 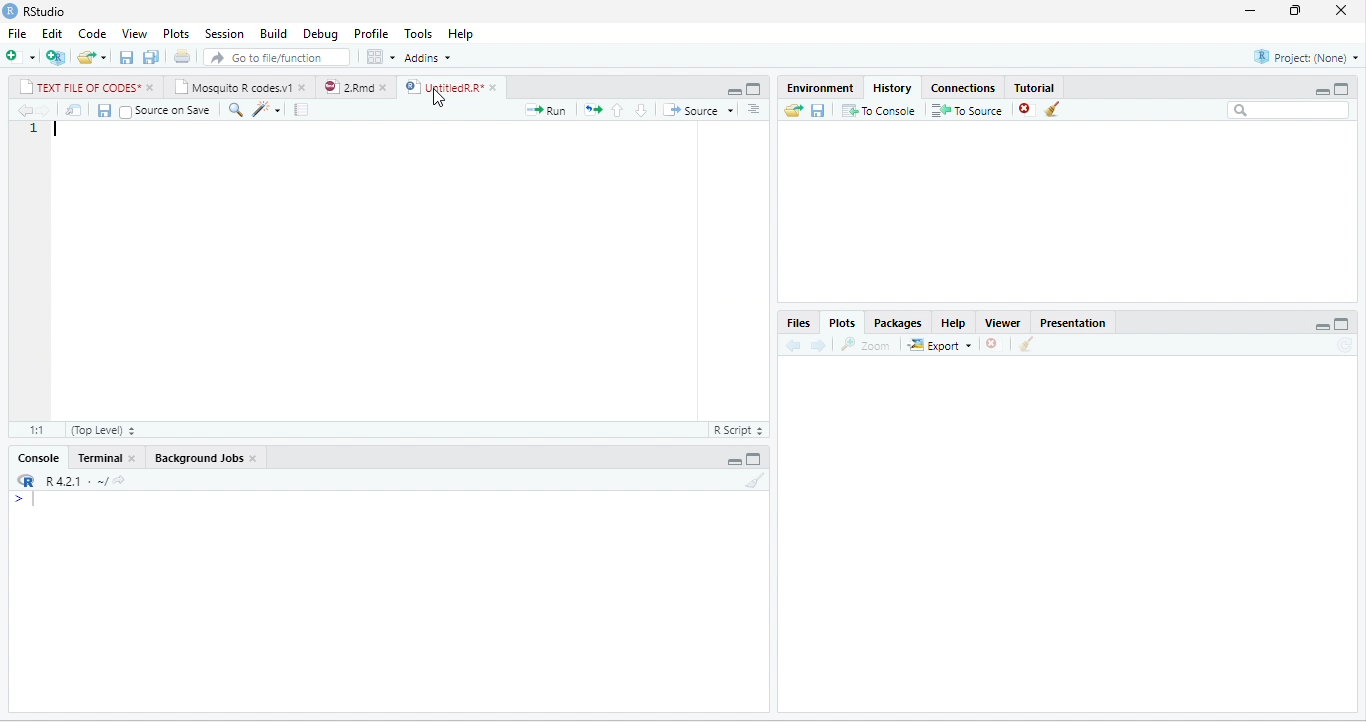 I want to click on To Console, so click(x=879, y=109).